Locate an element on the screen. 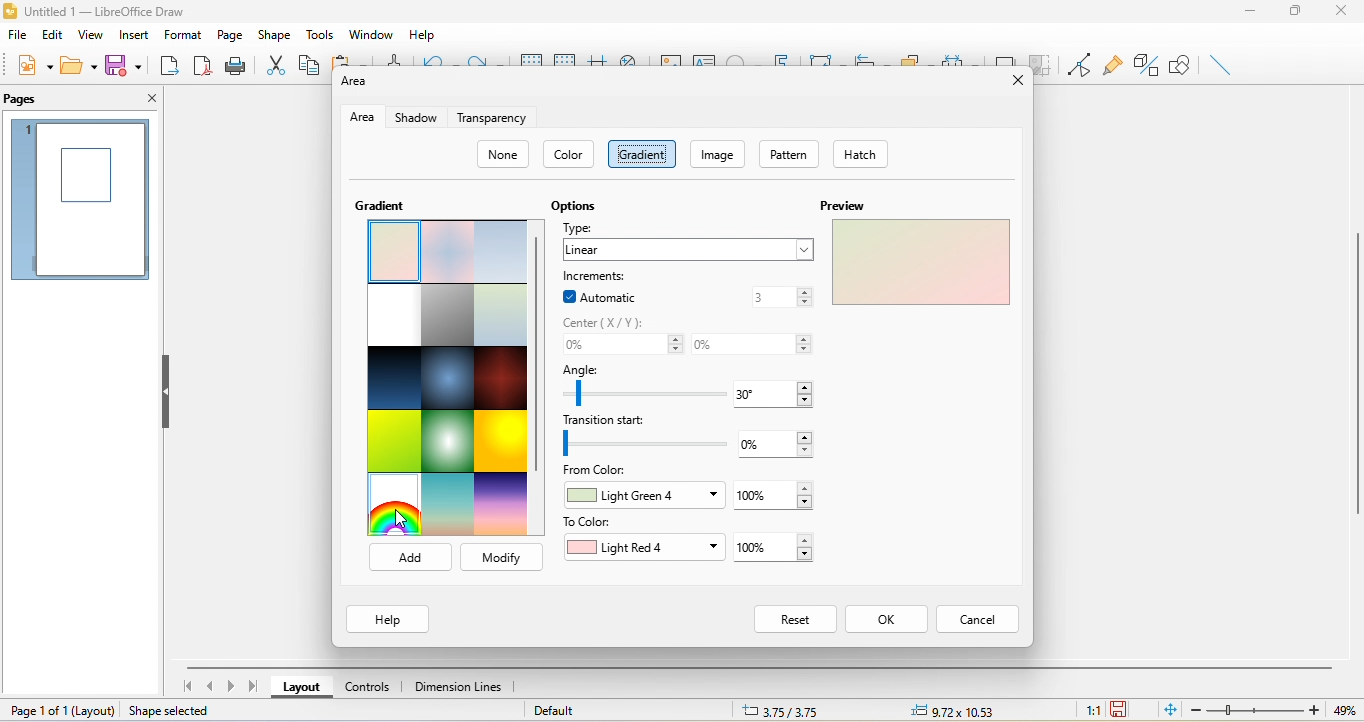 This screenshot has width=1364, height=722. insert line is located at coordinates (1216, 63).